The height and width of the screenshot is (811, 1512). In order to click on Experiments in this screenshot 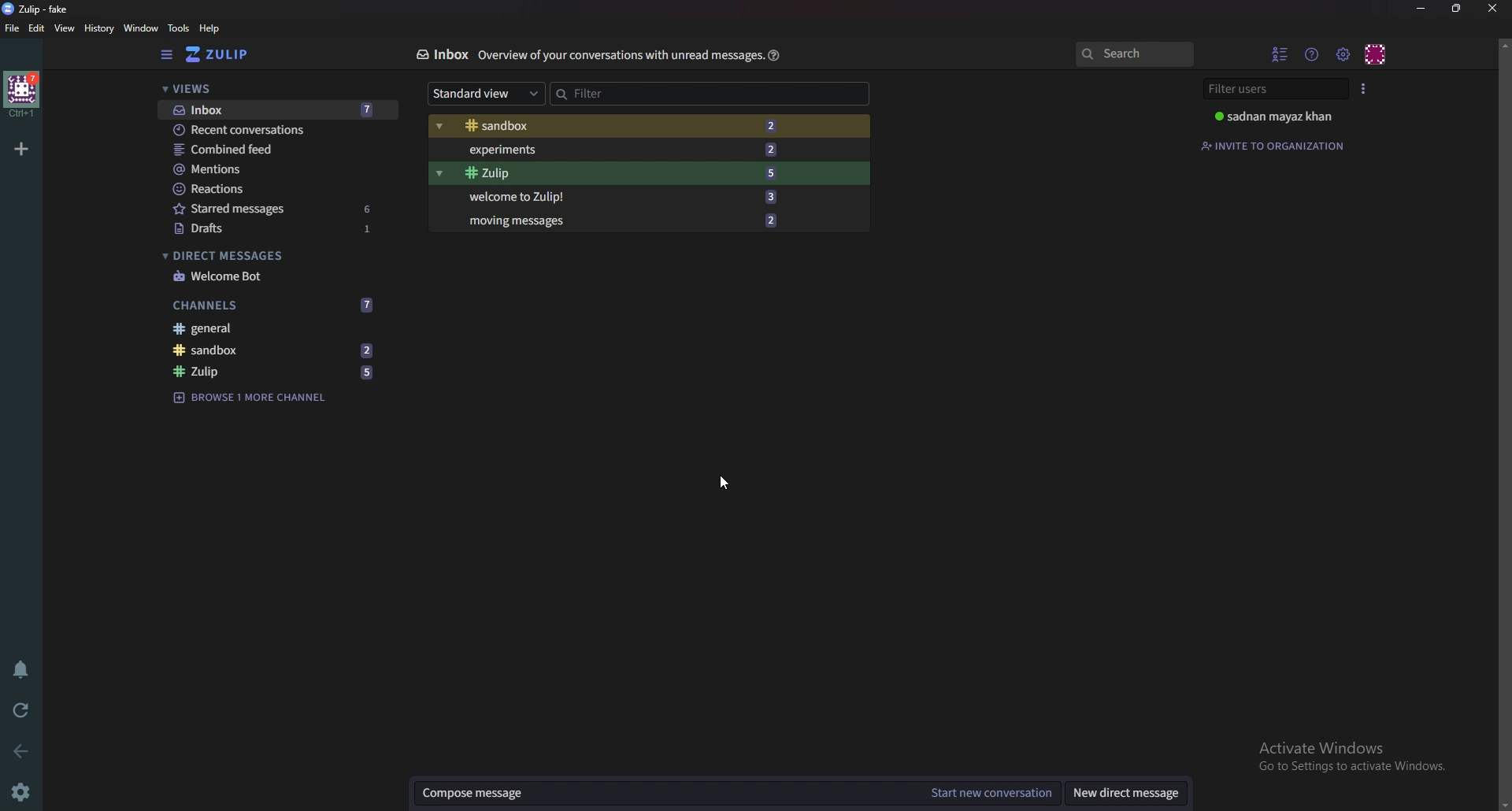, I will do `click(631, 150)`.